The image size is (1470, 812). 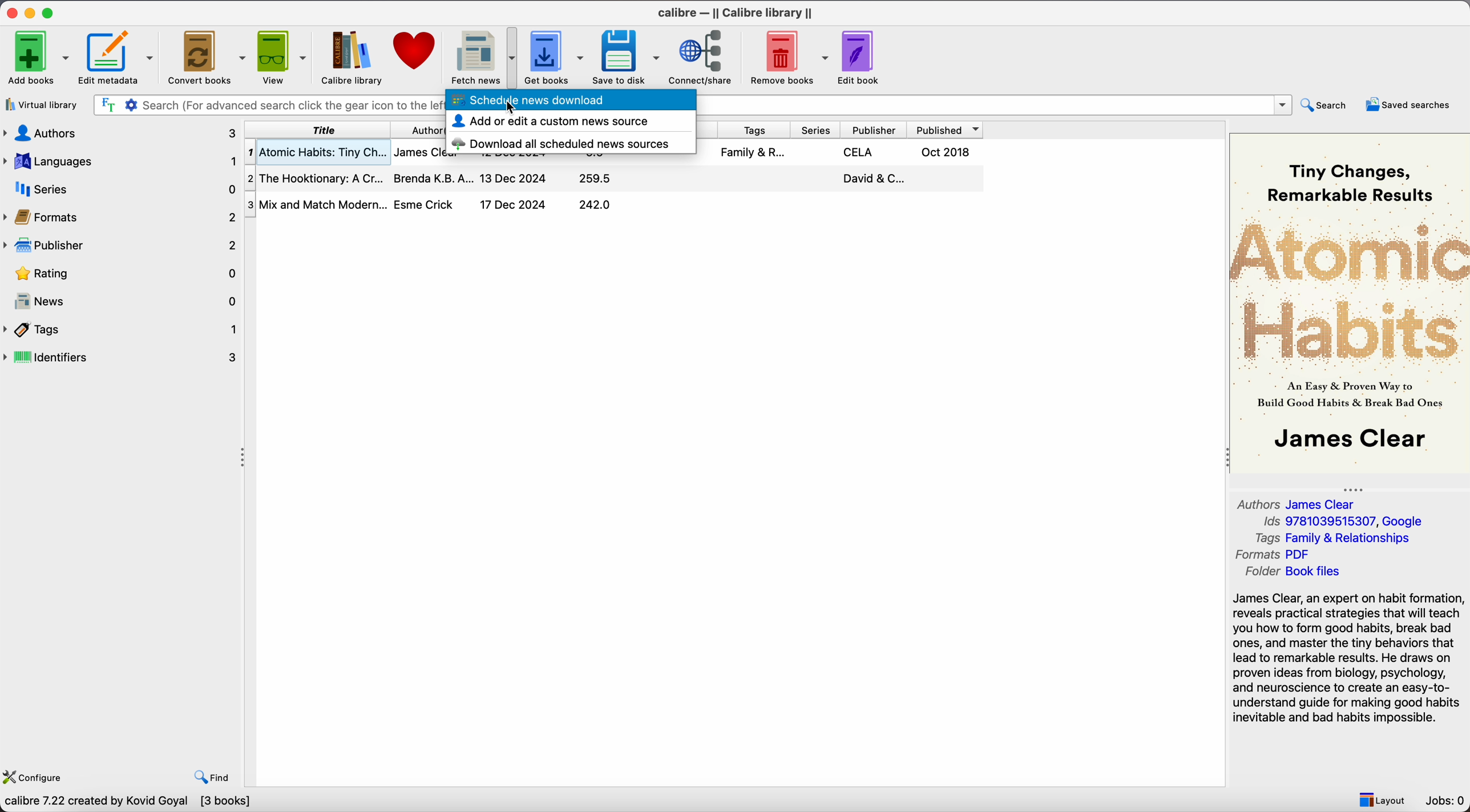 What do you see at coordinates (351, 57) in the screenshot?
I see `Calibre library` at bounding box center [351, 57].